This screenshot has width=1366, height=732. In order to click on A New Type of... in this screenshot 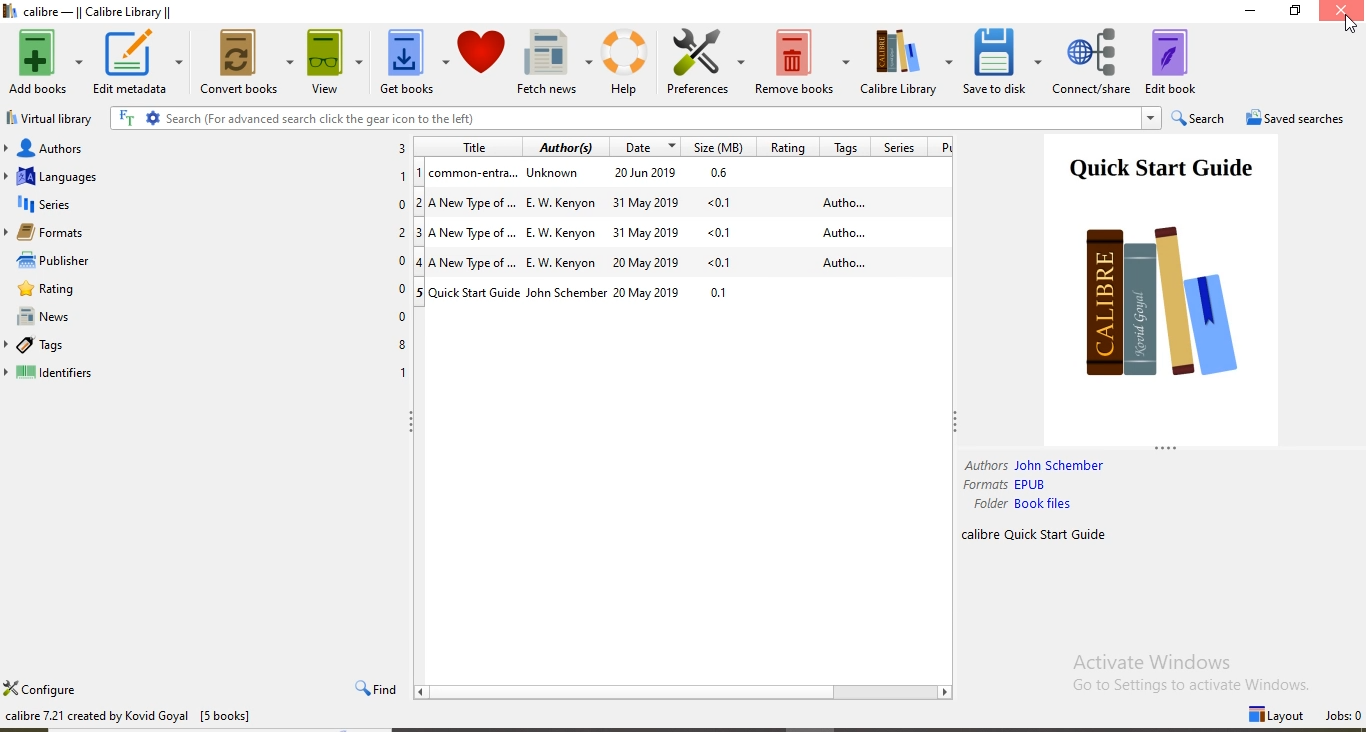, I will do `click(475, 233)`.